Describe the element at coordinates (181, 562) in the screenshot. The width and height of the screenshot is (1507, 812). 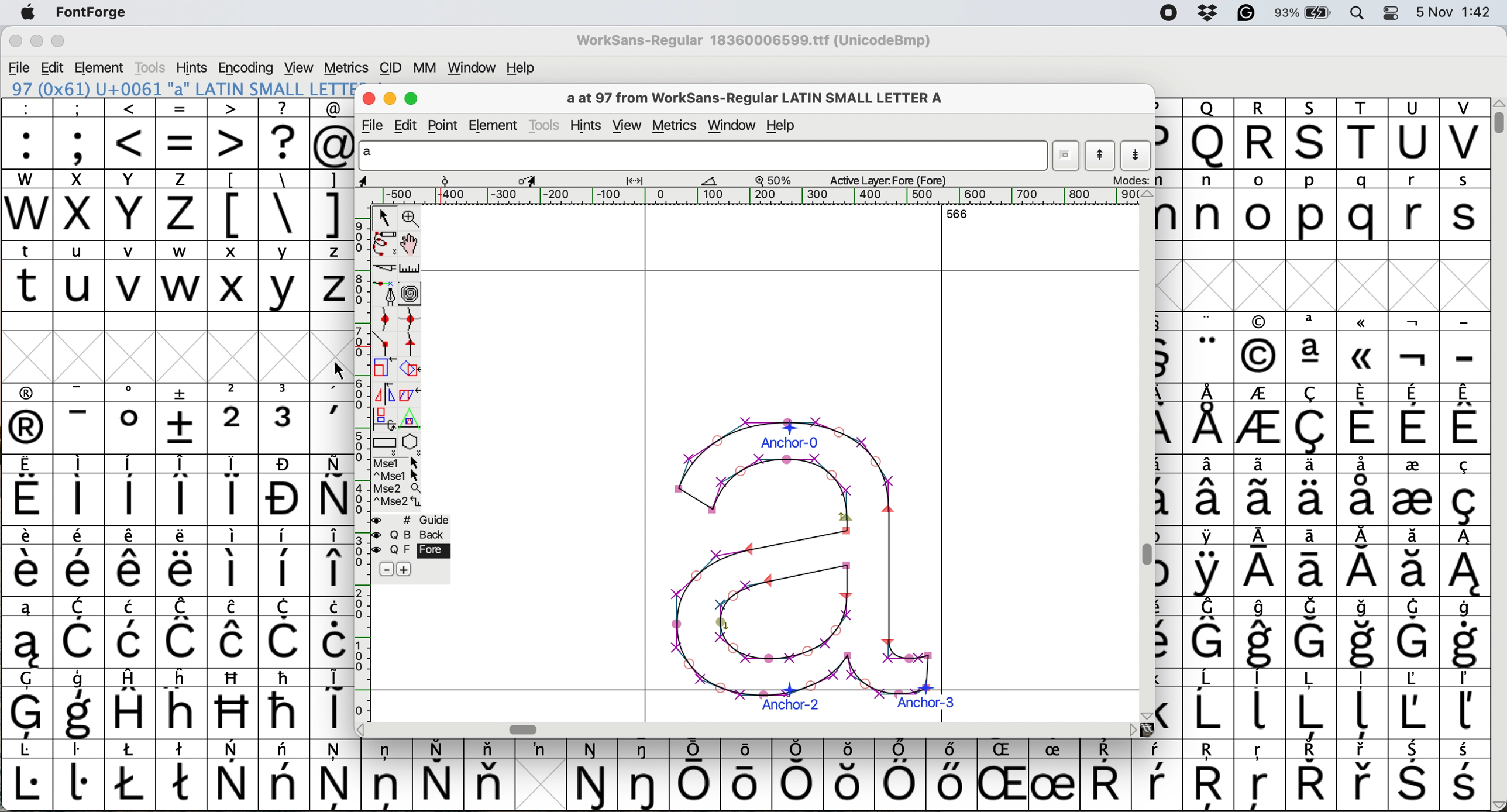
I see `symbol` at that location.